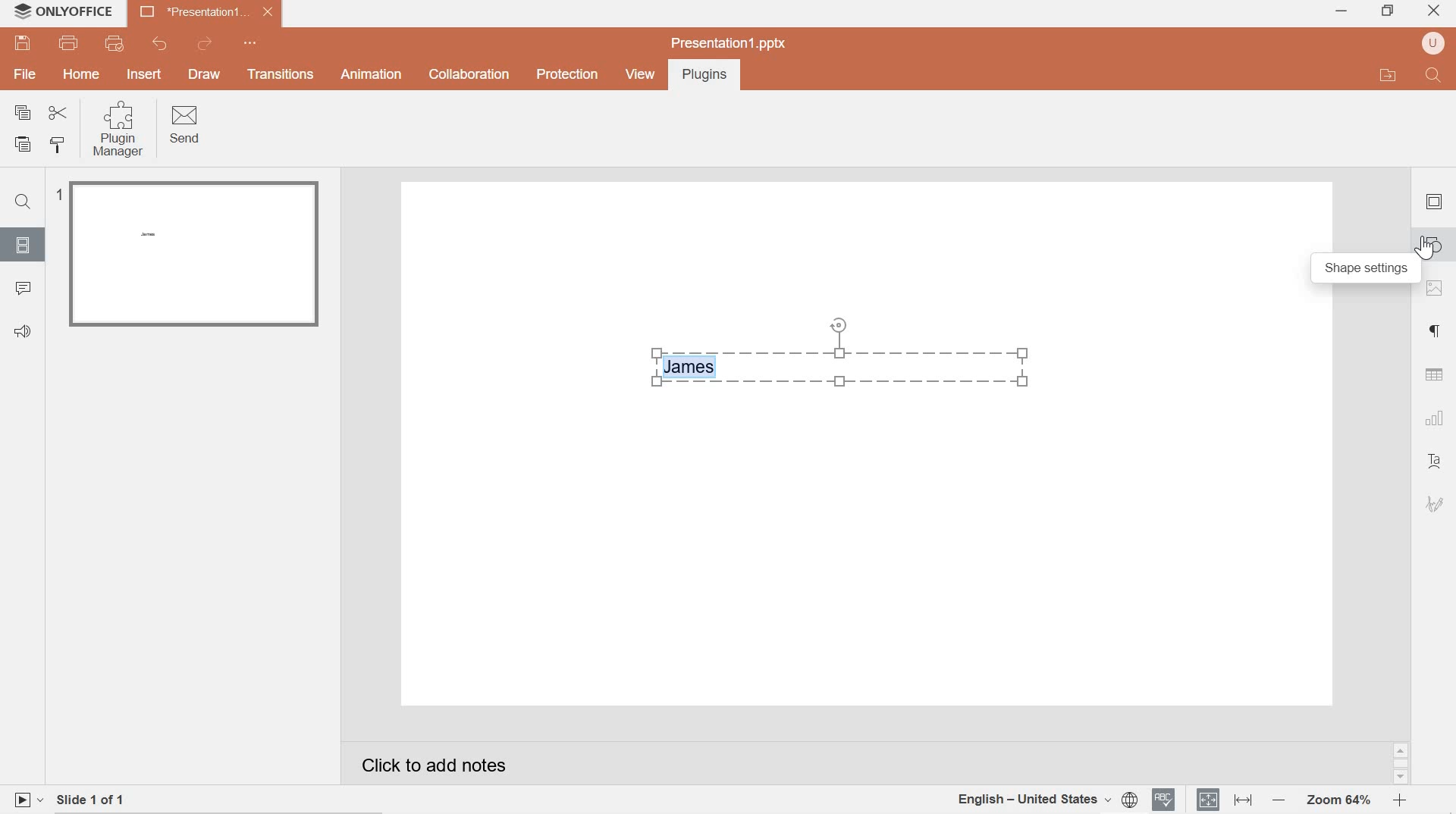 The image size is (1456, 814). I want to click on open file application, so click(1386, 75).